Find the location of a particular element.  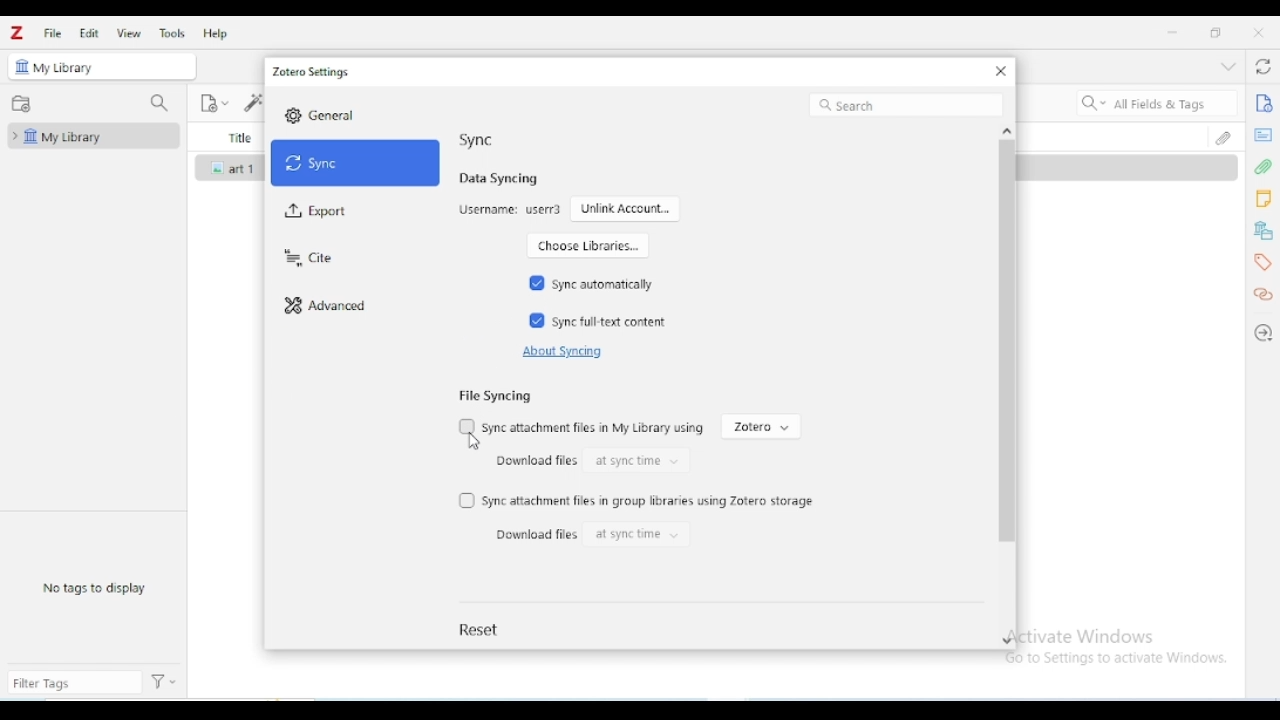

sync attachment files in group libraries using zotero storage is located at coordinates (650, 501).